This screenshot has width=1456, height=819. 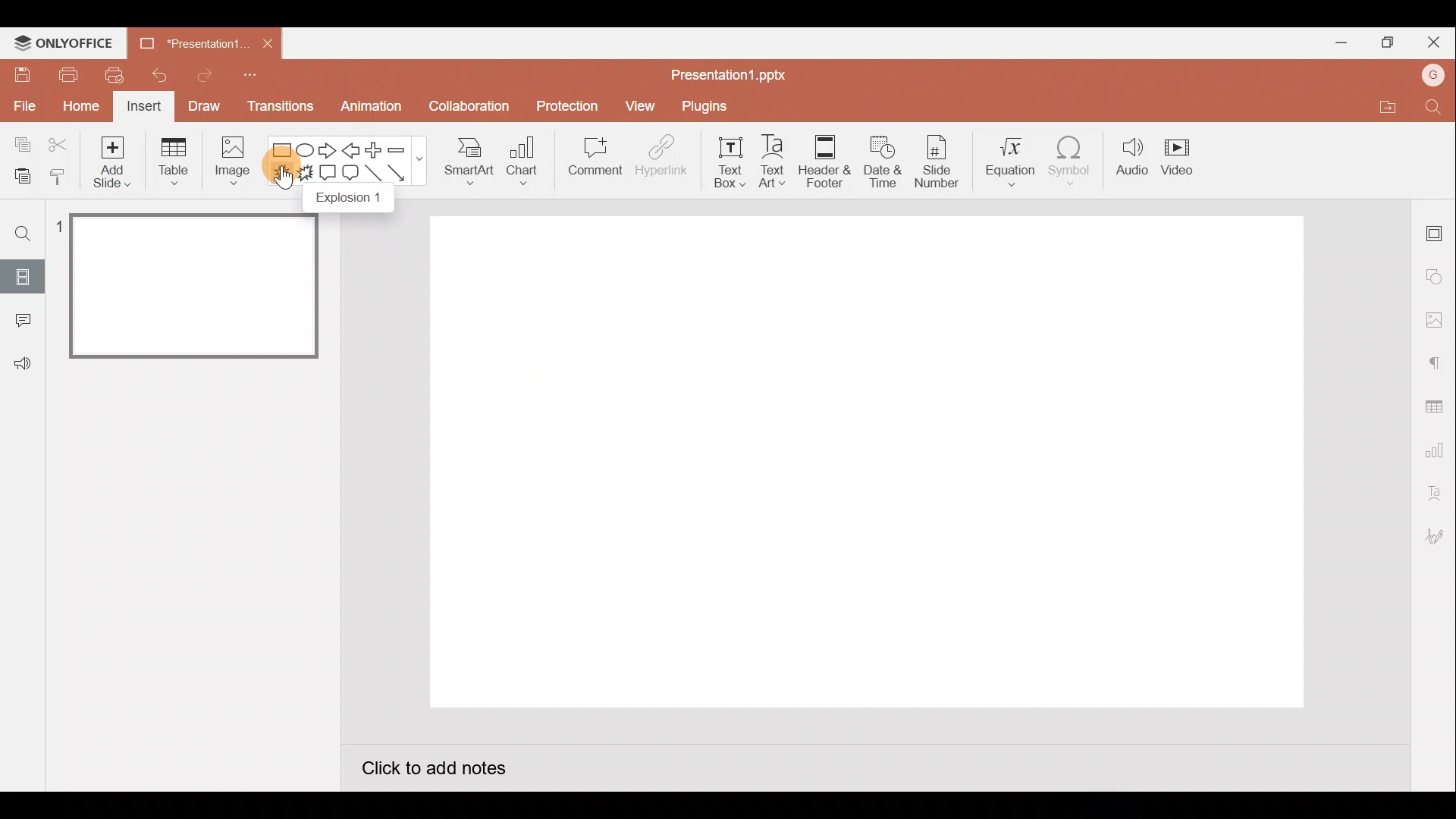 What do you see at coordinates (529, 165) in the screenshot?
I see `Chart` at bounding box center [529, 165].